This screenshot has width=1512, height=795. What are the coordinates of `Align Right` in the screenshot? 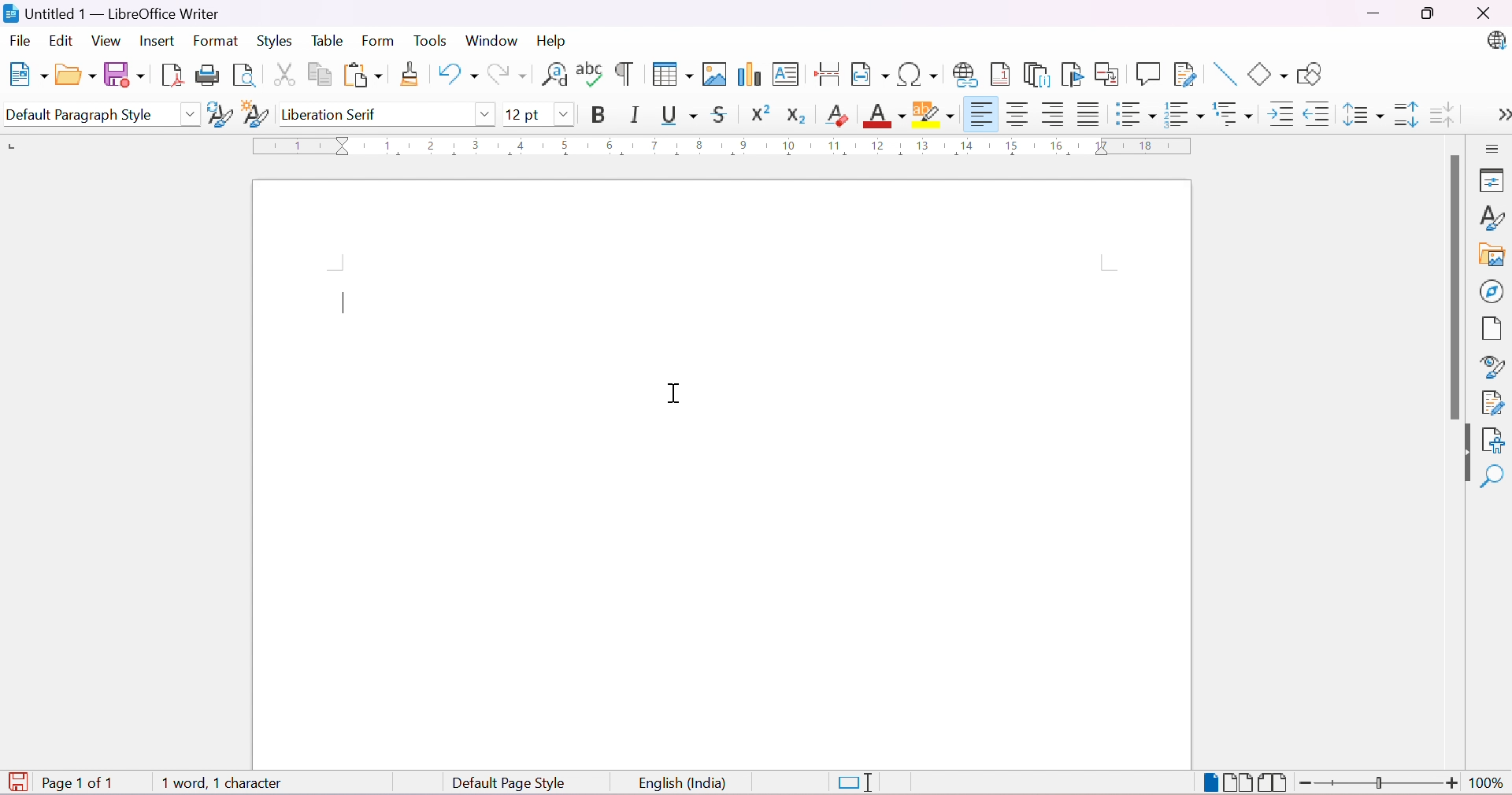 It's located at (1052, 115).